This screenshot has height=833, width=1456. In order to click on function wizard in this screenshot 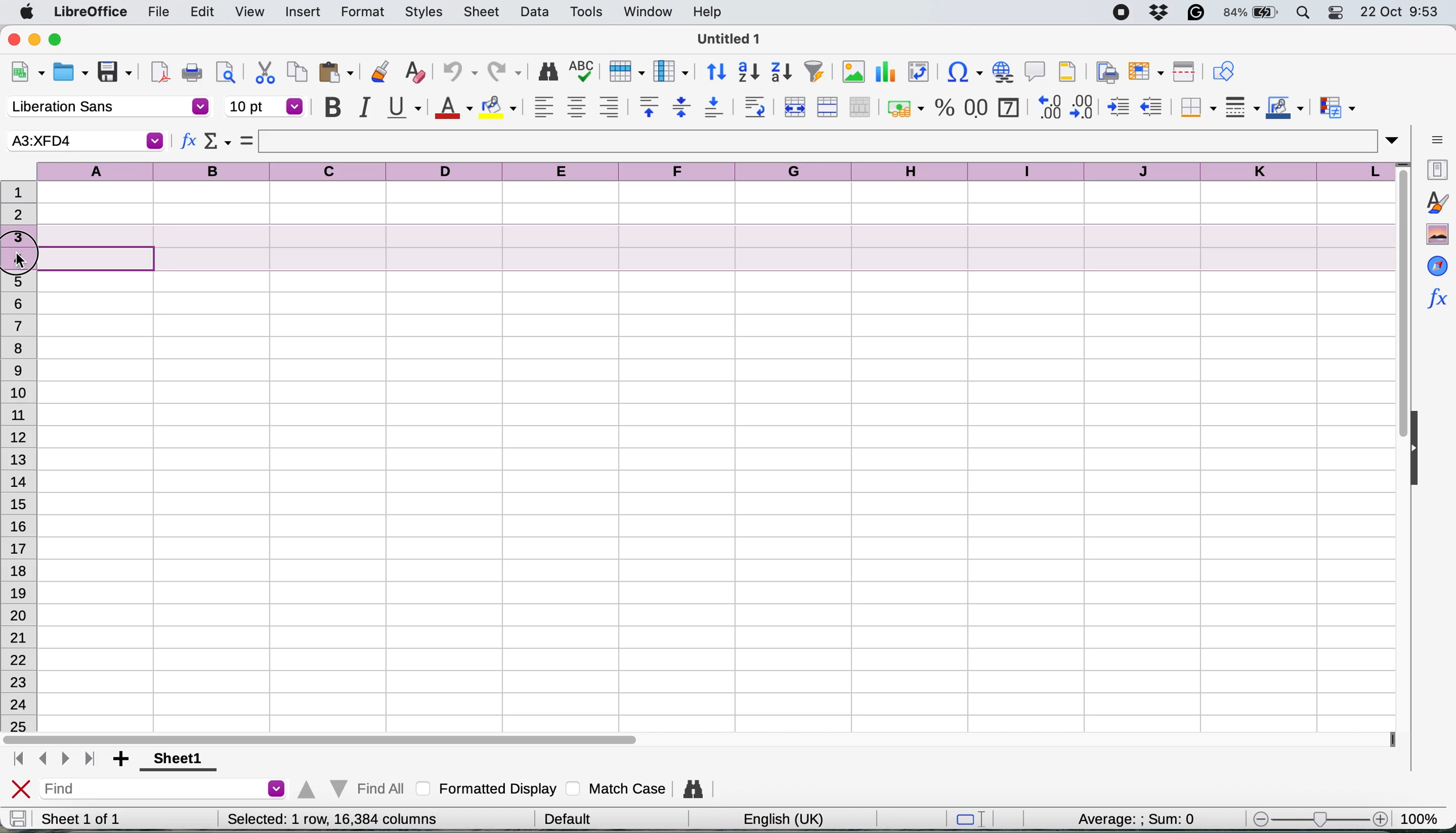, I will do `click(1436, 296)`.